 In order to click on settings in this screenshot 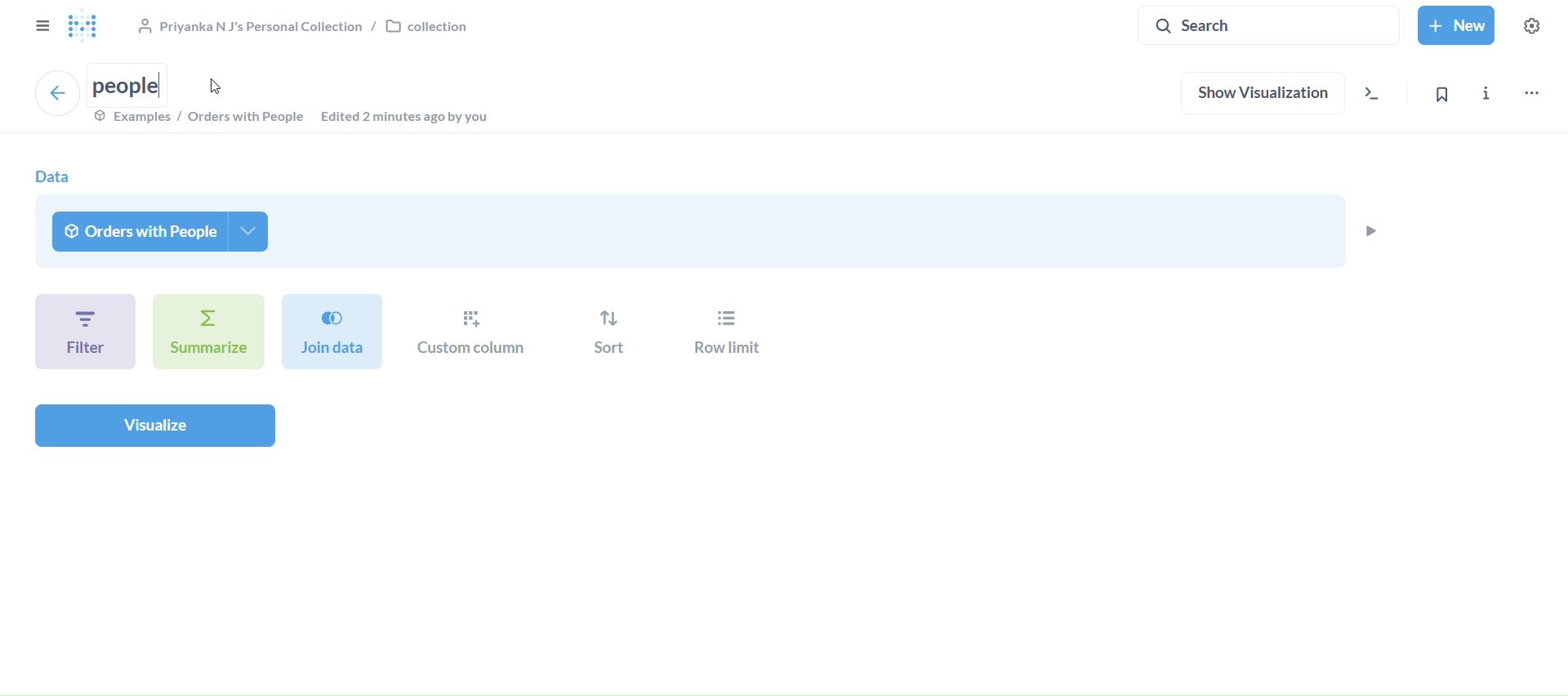, I will do `click(1534, 27)`.